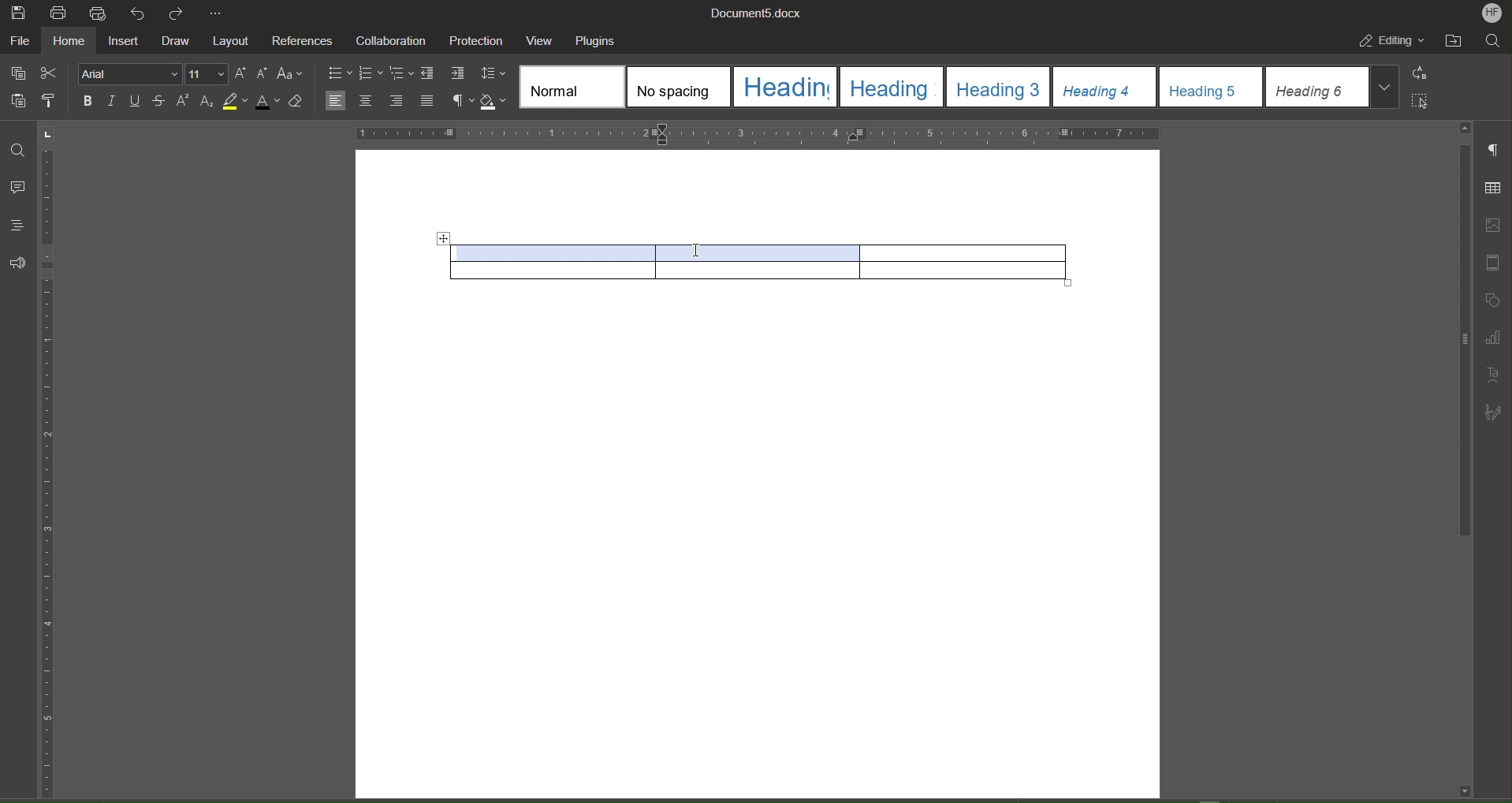 The image size is (1512, 803). I want to click on heading 3, so click(999, 87).